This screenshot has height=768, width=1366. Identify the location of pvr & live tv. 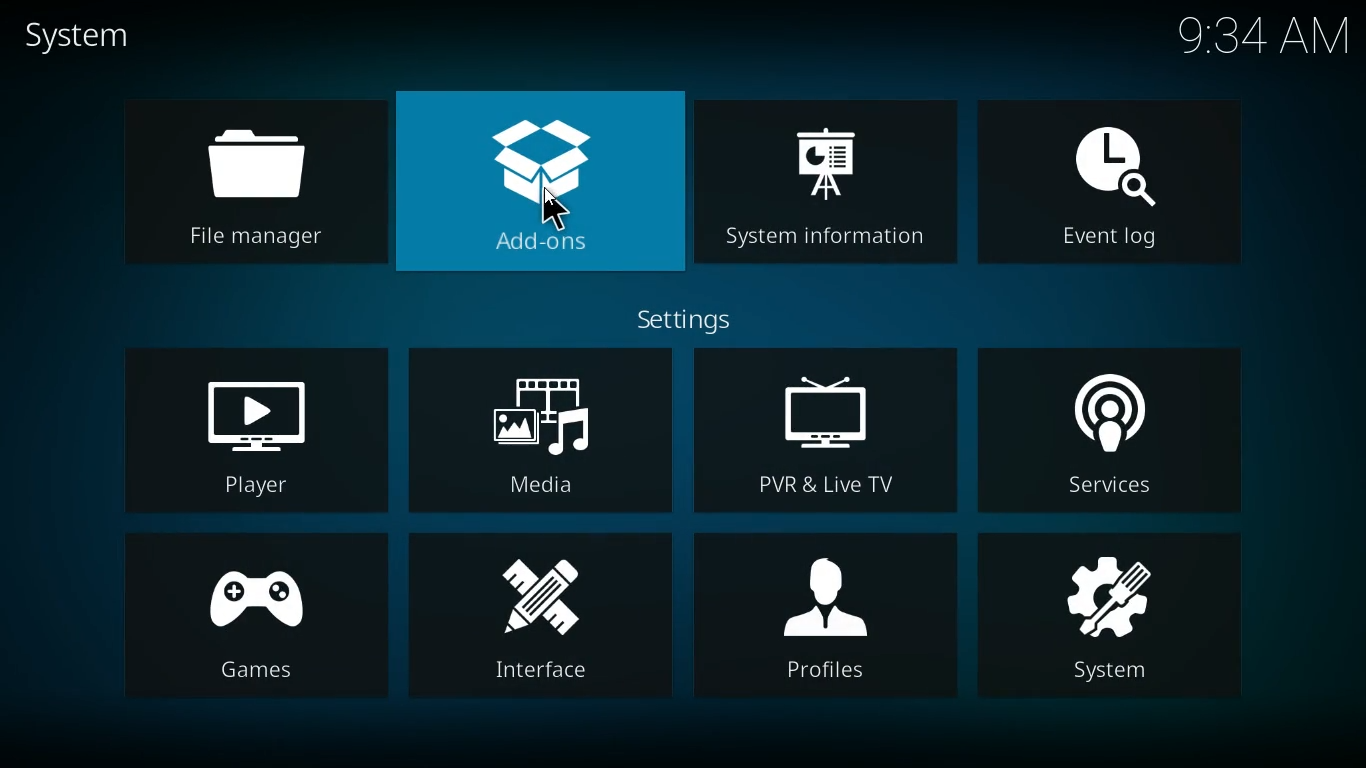
(825, 431).